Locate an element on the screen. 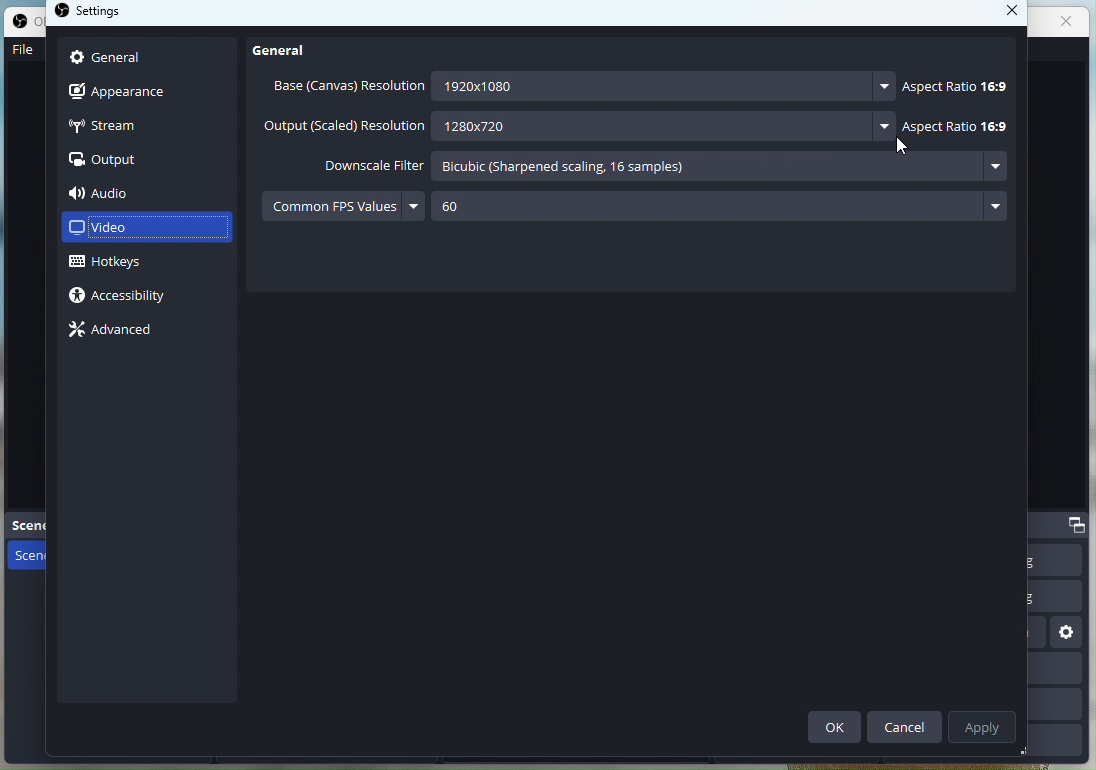 This screenshot has height=770, width=1096. General is located at coordinates (288, 49).